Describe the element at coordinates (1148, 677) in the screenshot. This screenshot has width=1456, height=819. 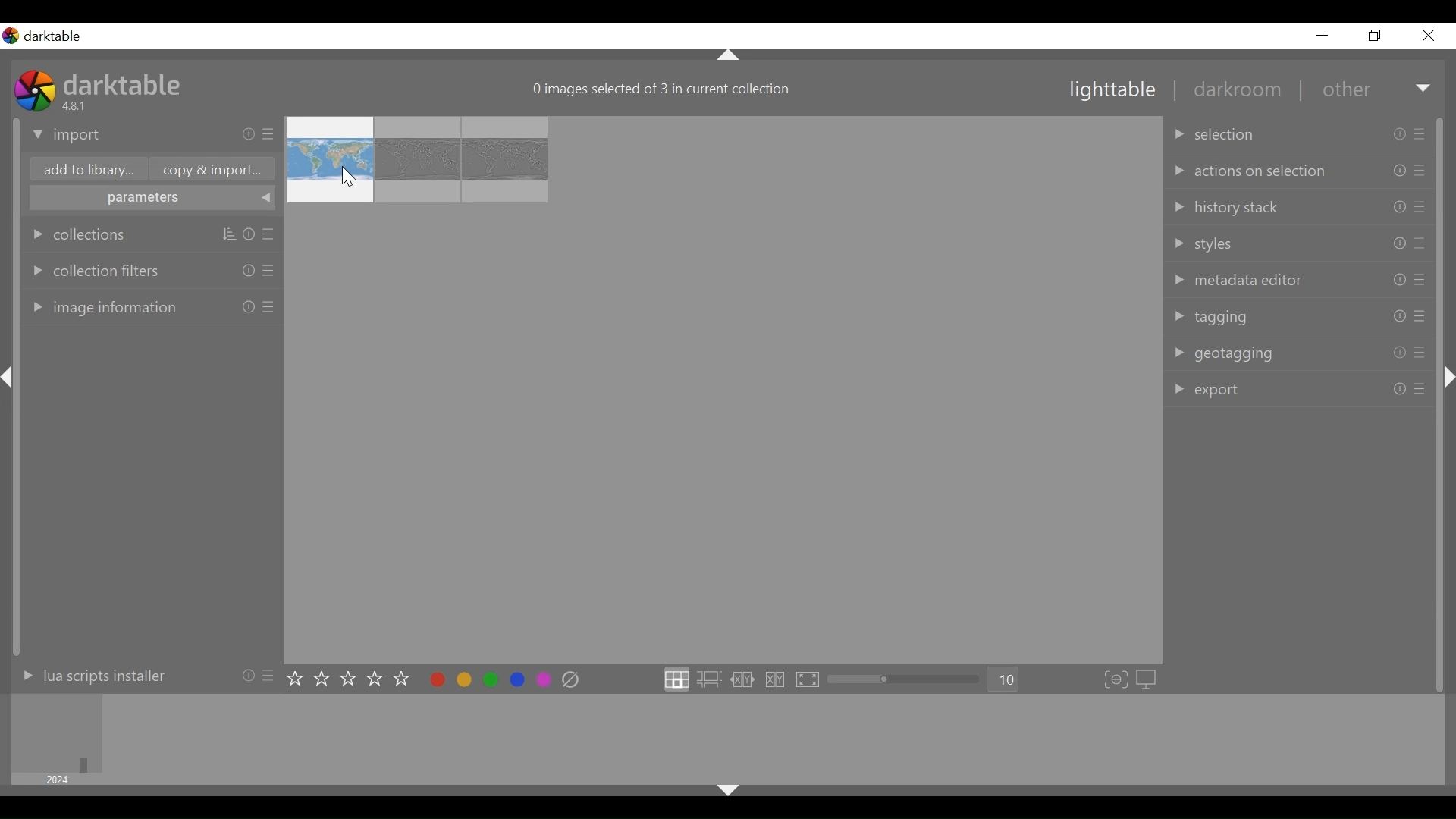
I see `set display profile` at that location.